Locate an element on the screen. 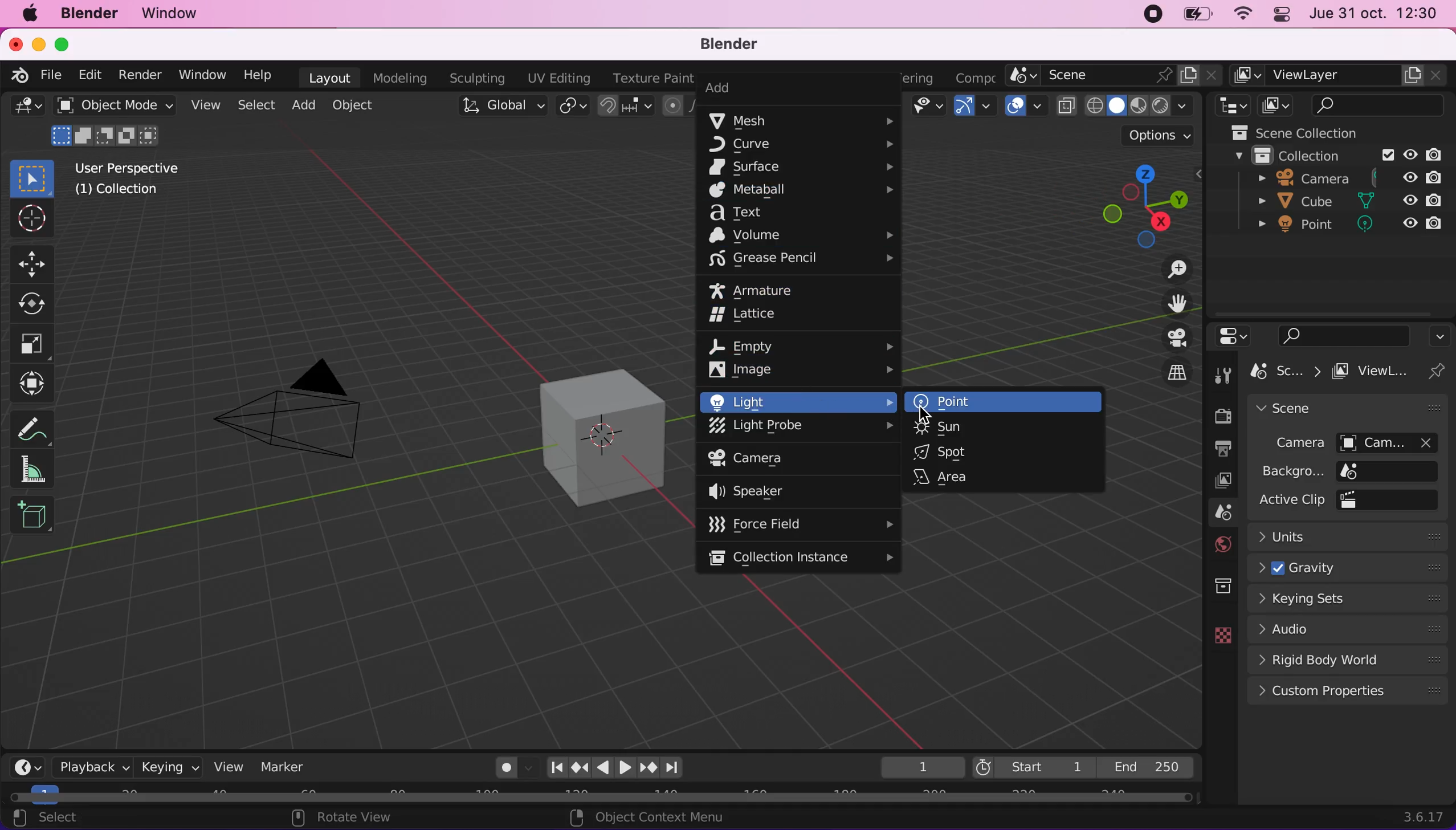 Image resolution: width=1456 pixels, height=830 pixels. move is located at coordinates (32, 262).